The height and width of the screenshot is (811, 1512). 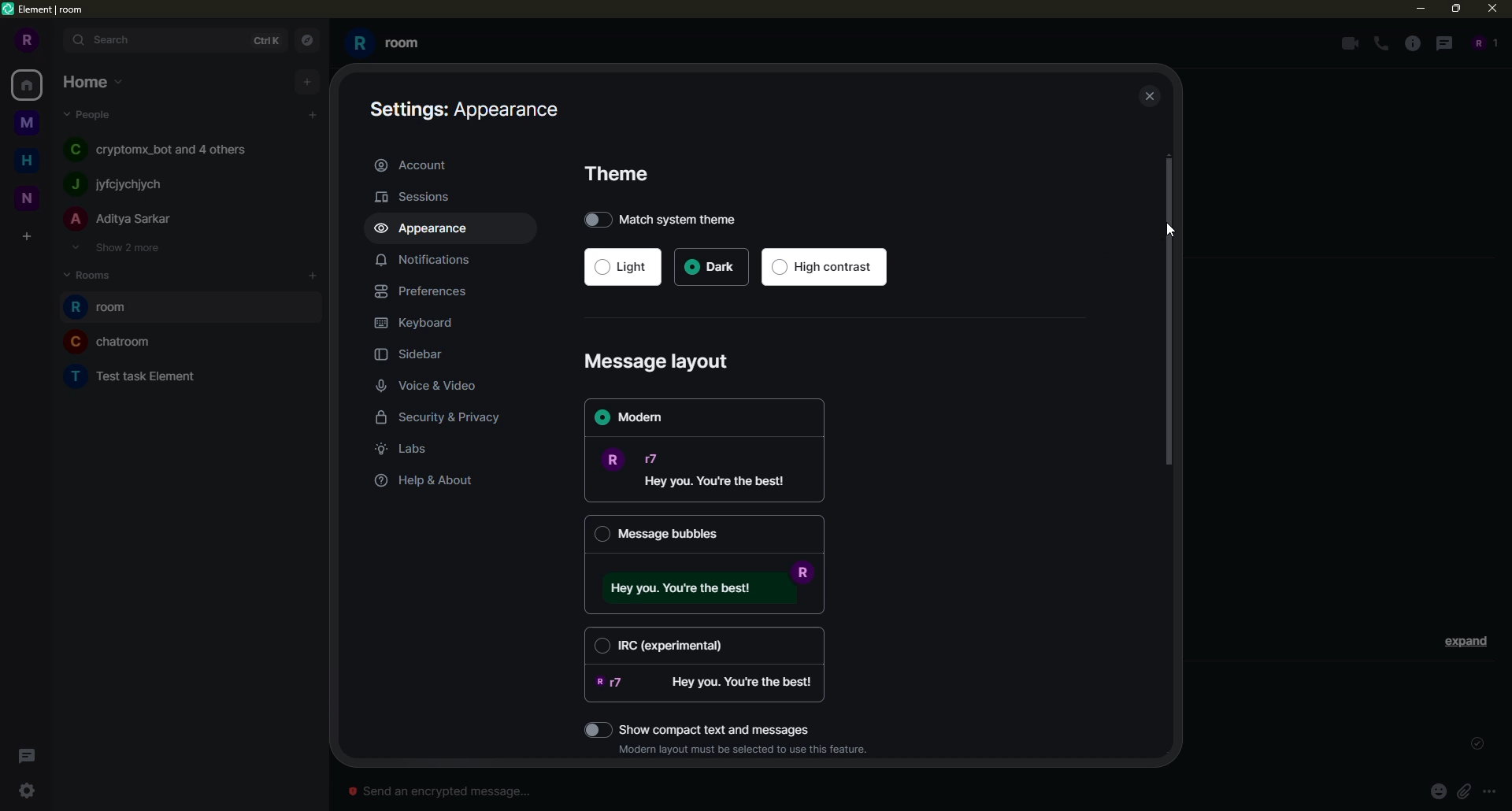 What do you see at coordinates (428, 229) in the screenshot?
I see `appearance` at bounding box center [428, 229].